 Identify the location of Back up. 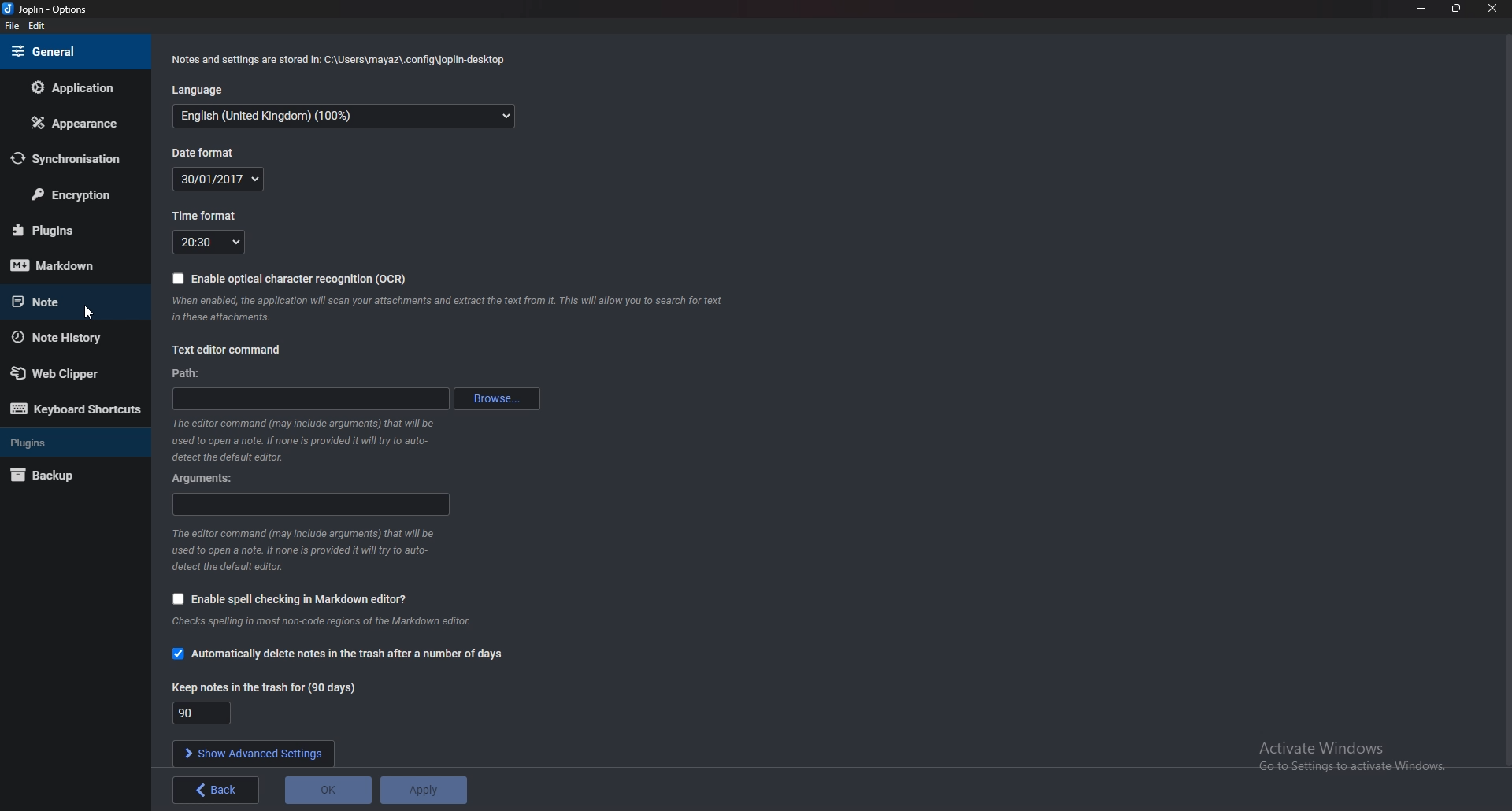
(61, 476).